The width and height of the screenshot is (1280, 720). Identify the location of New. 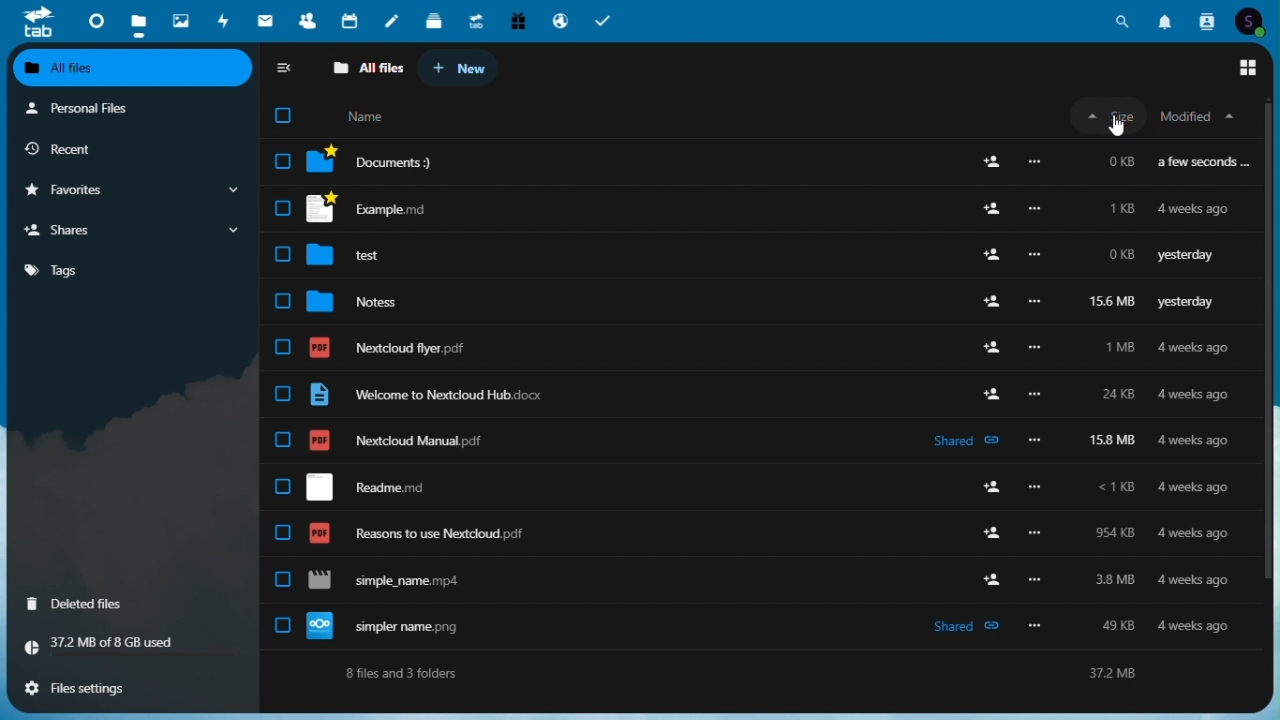
(461, 68).